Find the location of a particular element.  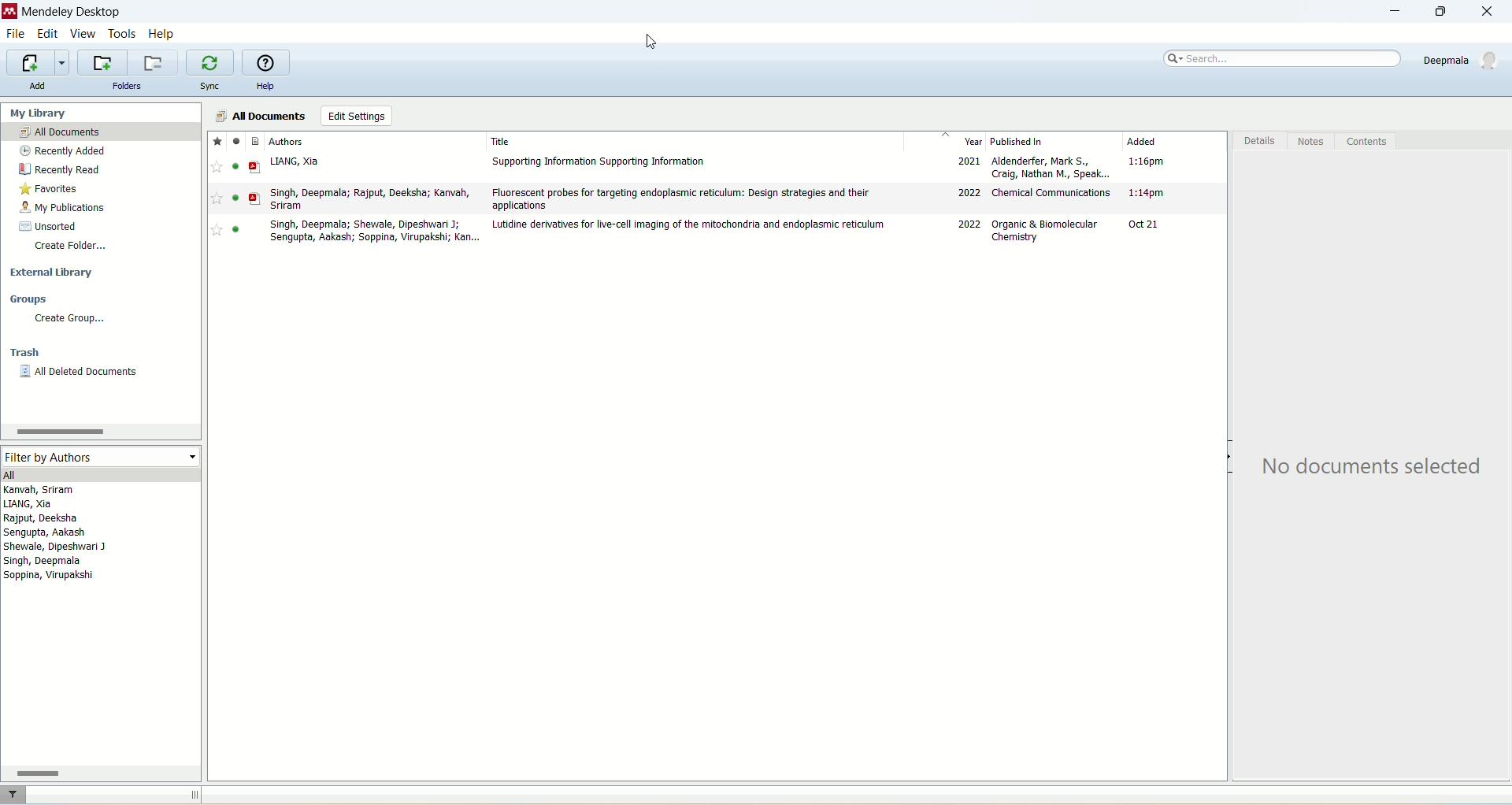

Rajput, Deeksha is located at coordinates (42, 518).